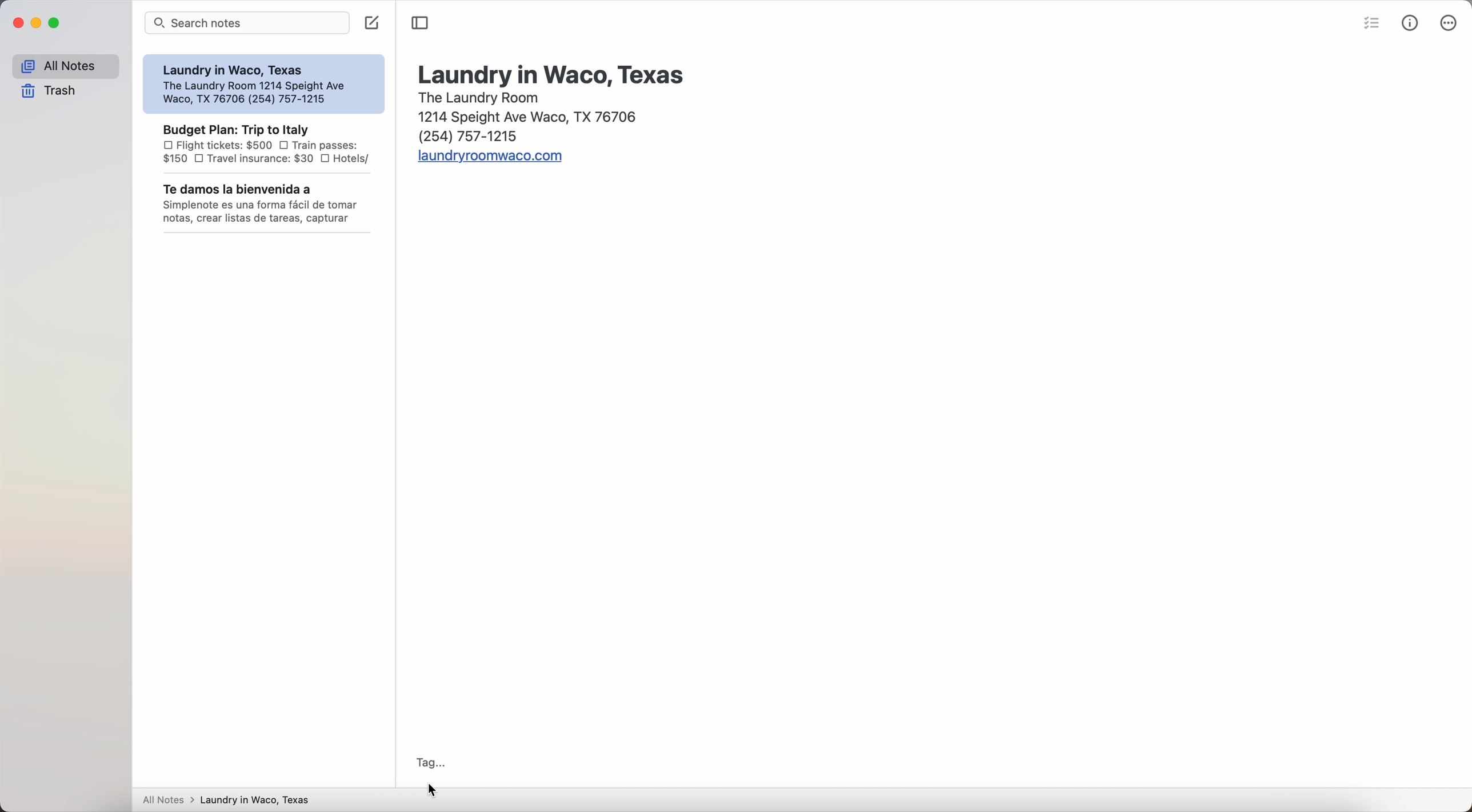 This screenshot has width=1472, height=812. I want to click on cursor, so click(431, 790).